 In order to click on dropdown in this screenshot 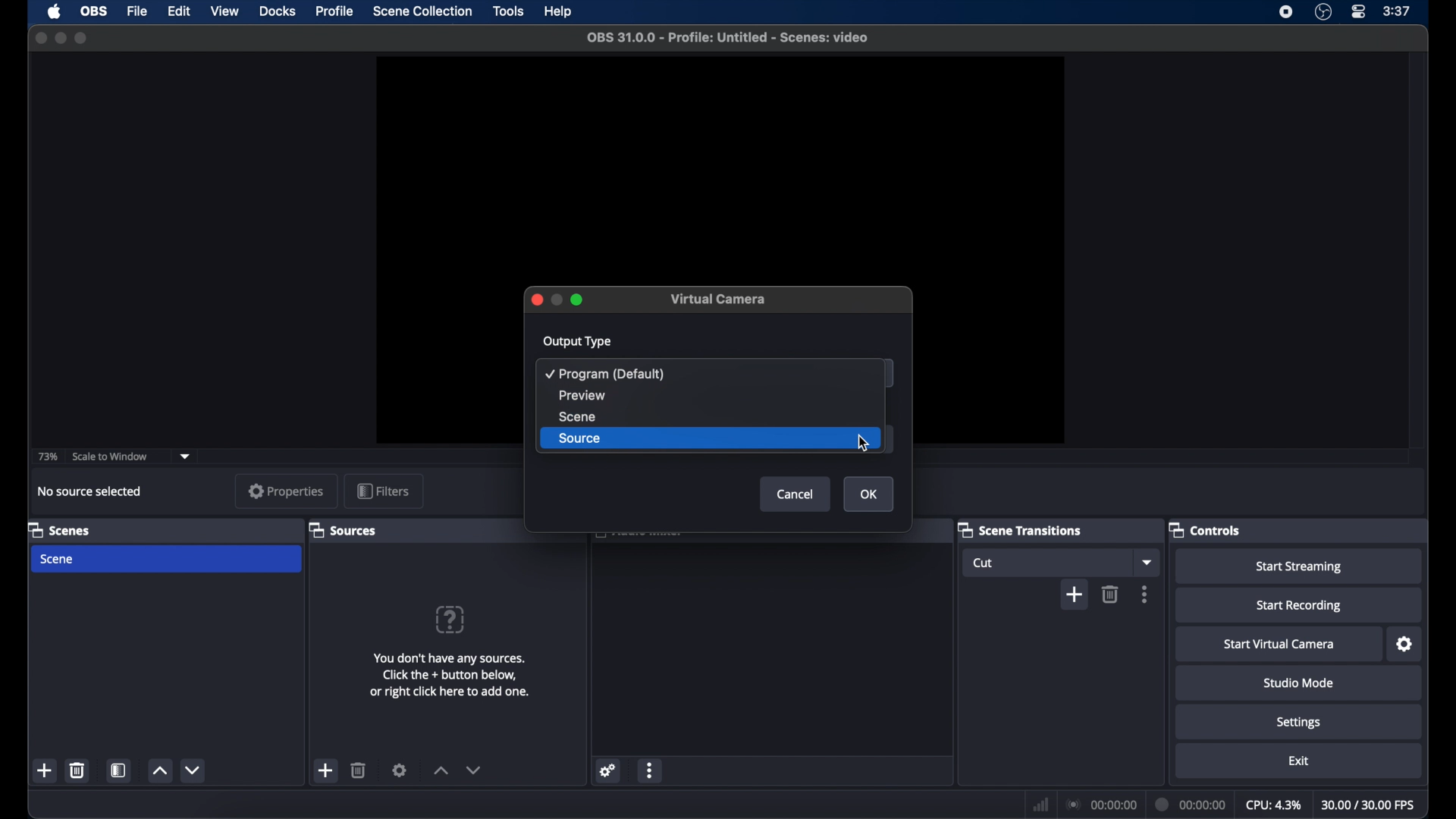, I will do `click(186, 456)`.